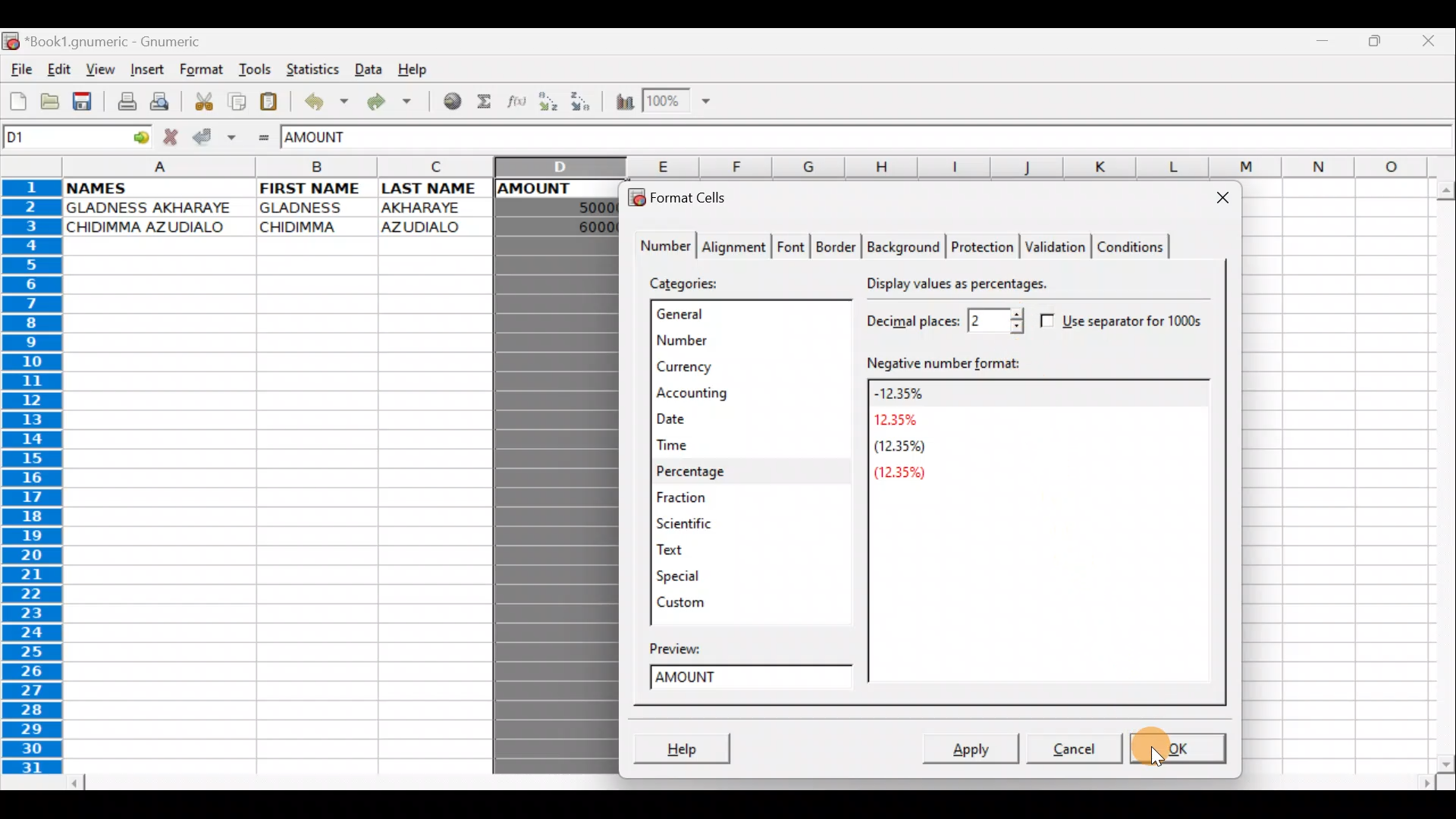  What do you see at coordinates (519, 102) in the screenshot?
I see `Edit function in the current cell` at bounding box center [519, 102].